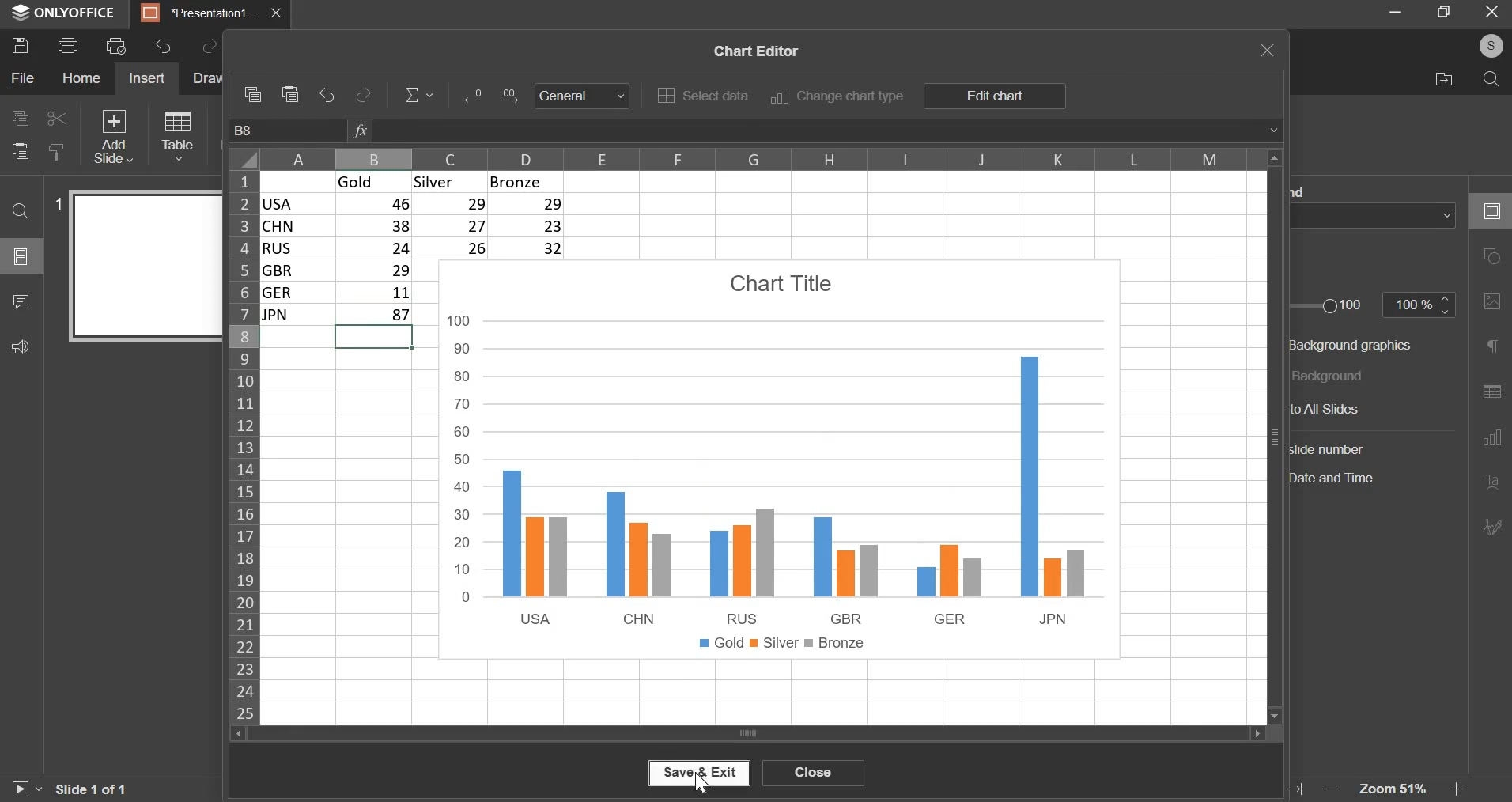  Describe the element at coordinates (453, 206) in the screenshot. I see `29` at that location.